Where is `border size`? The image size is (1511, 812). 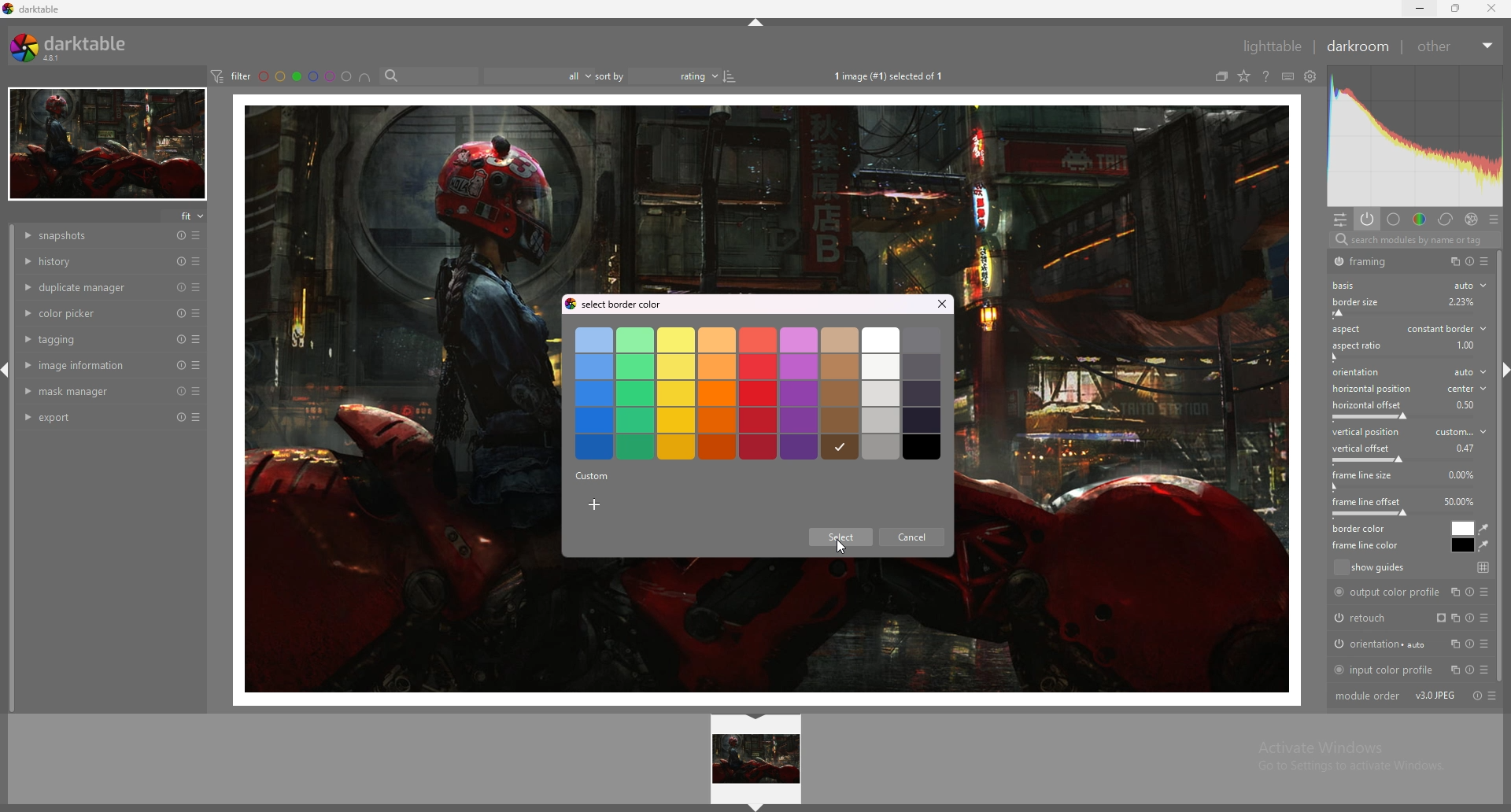
border size is located at coordinates (1378, 301).